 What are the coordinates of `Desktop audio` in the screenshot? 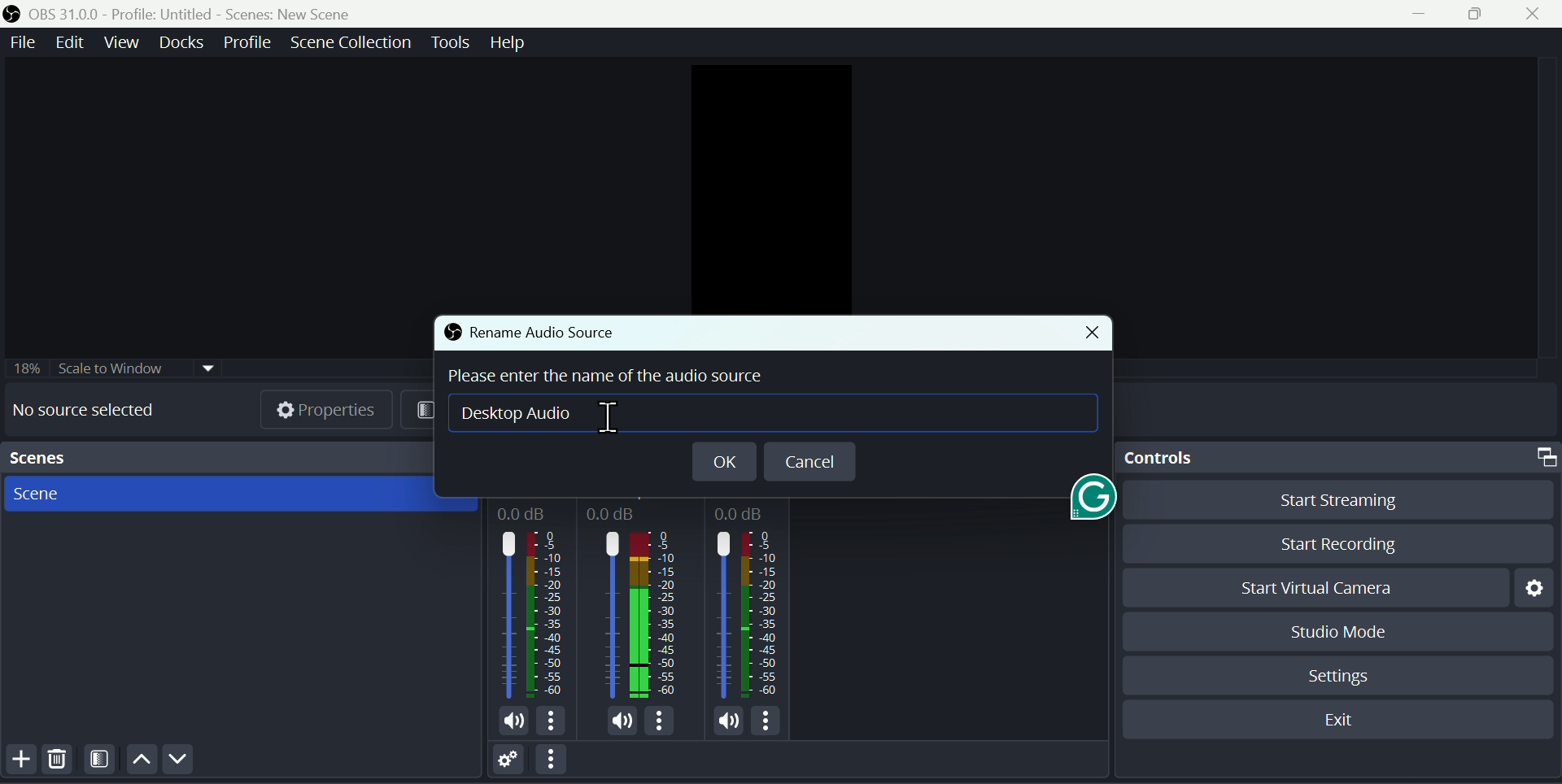 It's located at (538, 419).